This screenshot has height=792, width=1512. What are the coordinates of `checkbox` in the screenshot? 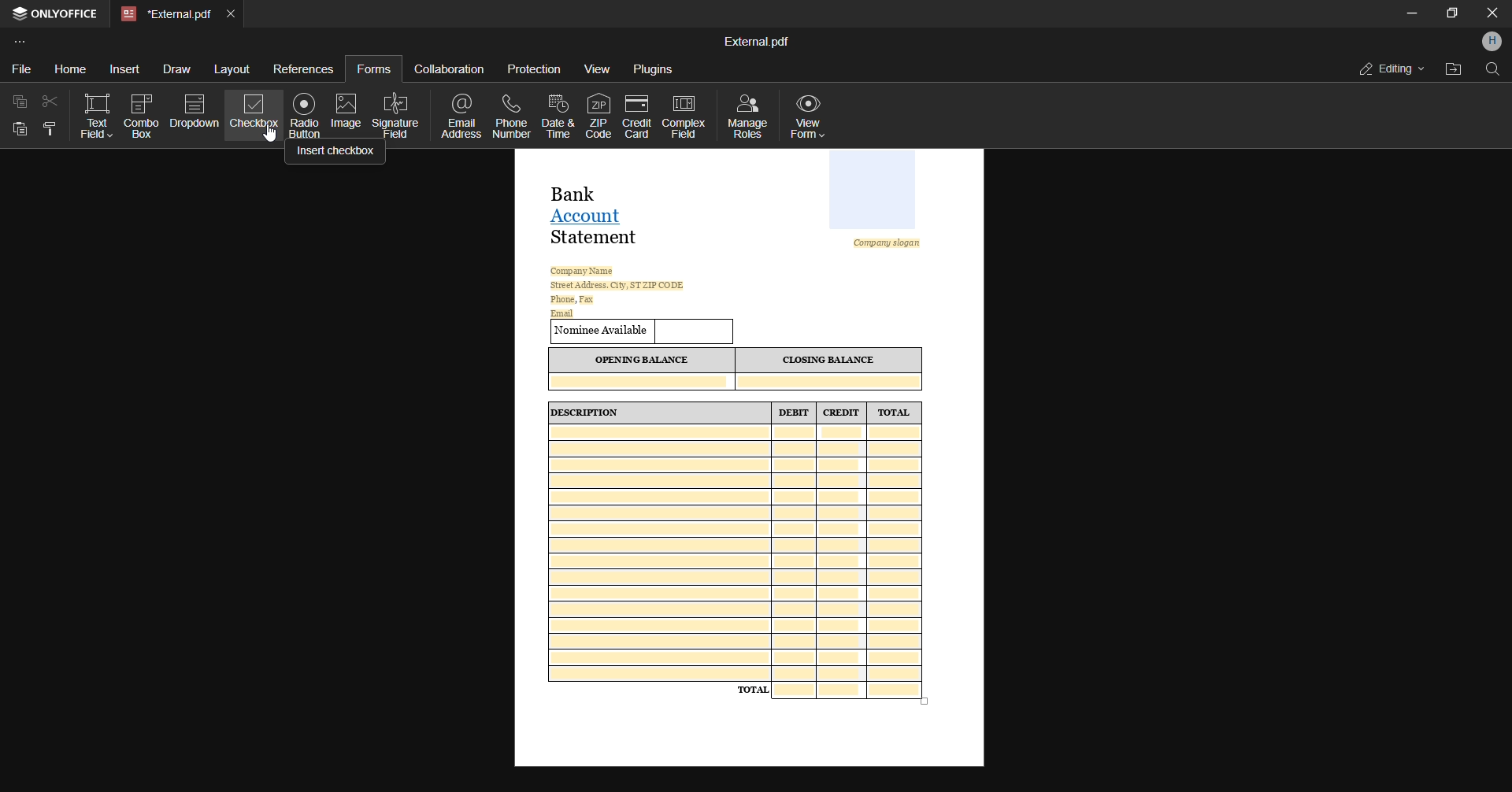 It's located at (253, 119).